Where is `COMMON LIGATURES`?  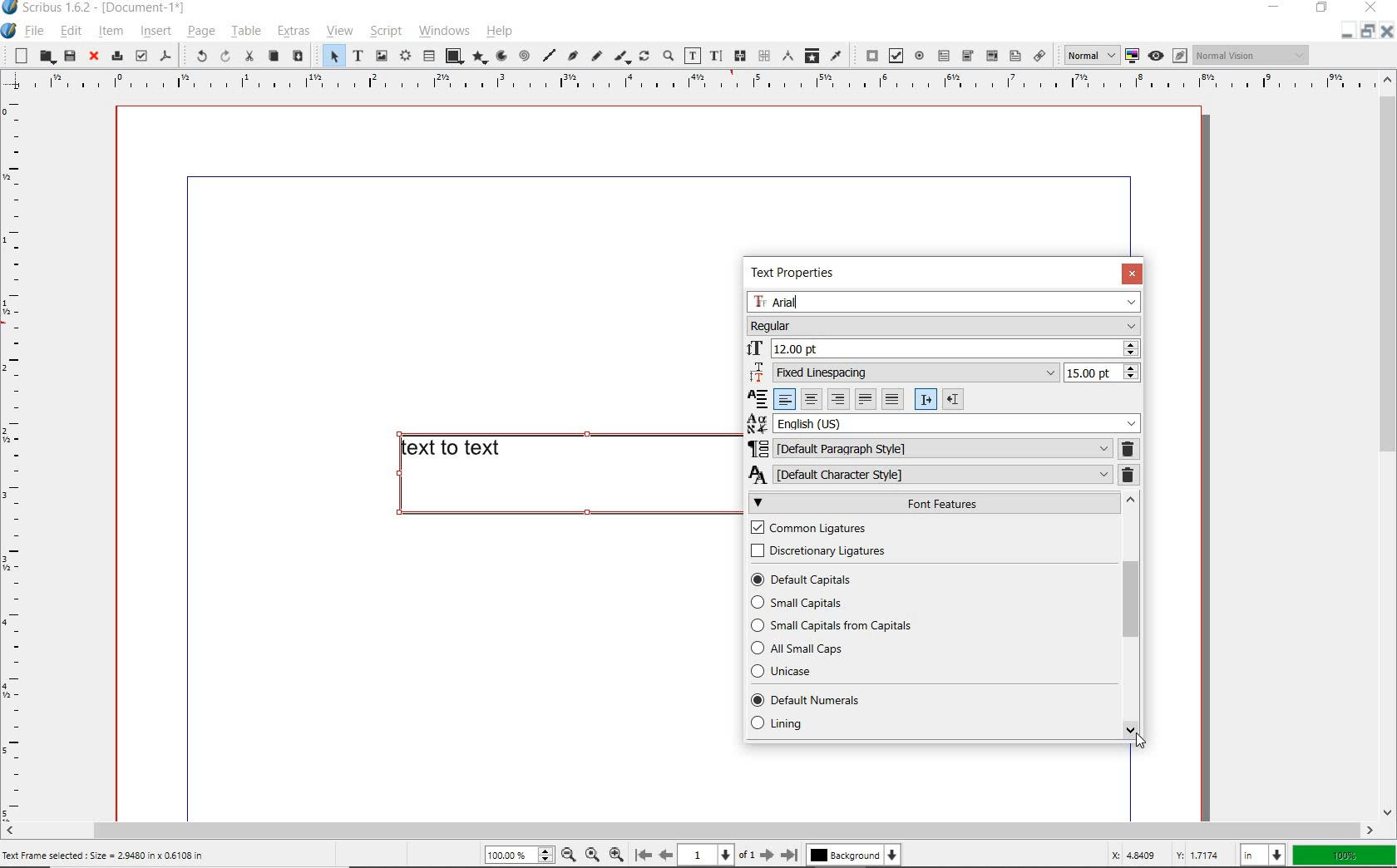
COMMON LIGATURES is located at coordinates (816, 528).